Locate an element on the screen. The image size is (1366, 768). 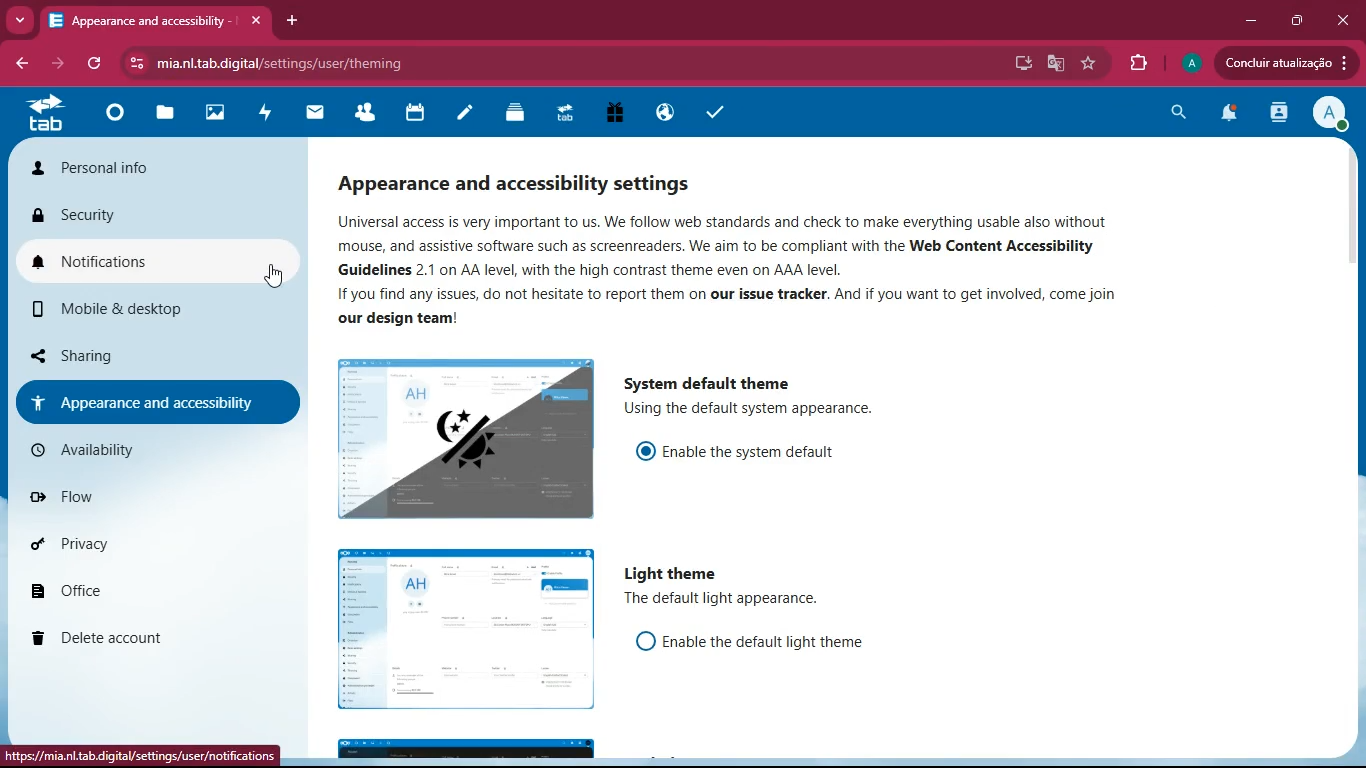
close tab is located at coordinates (254, 23).